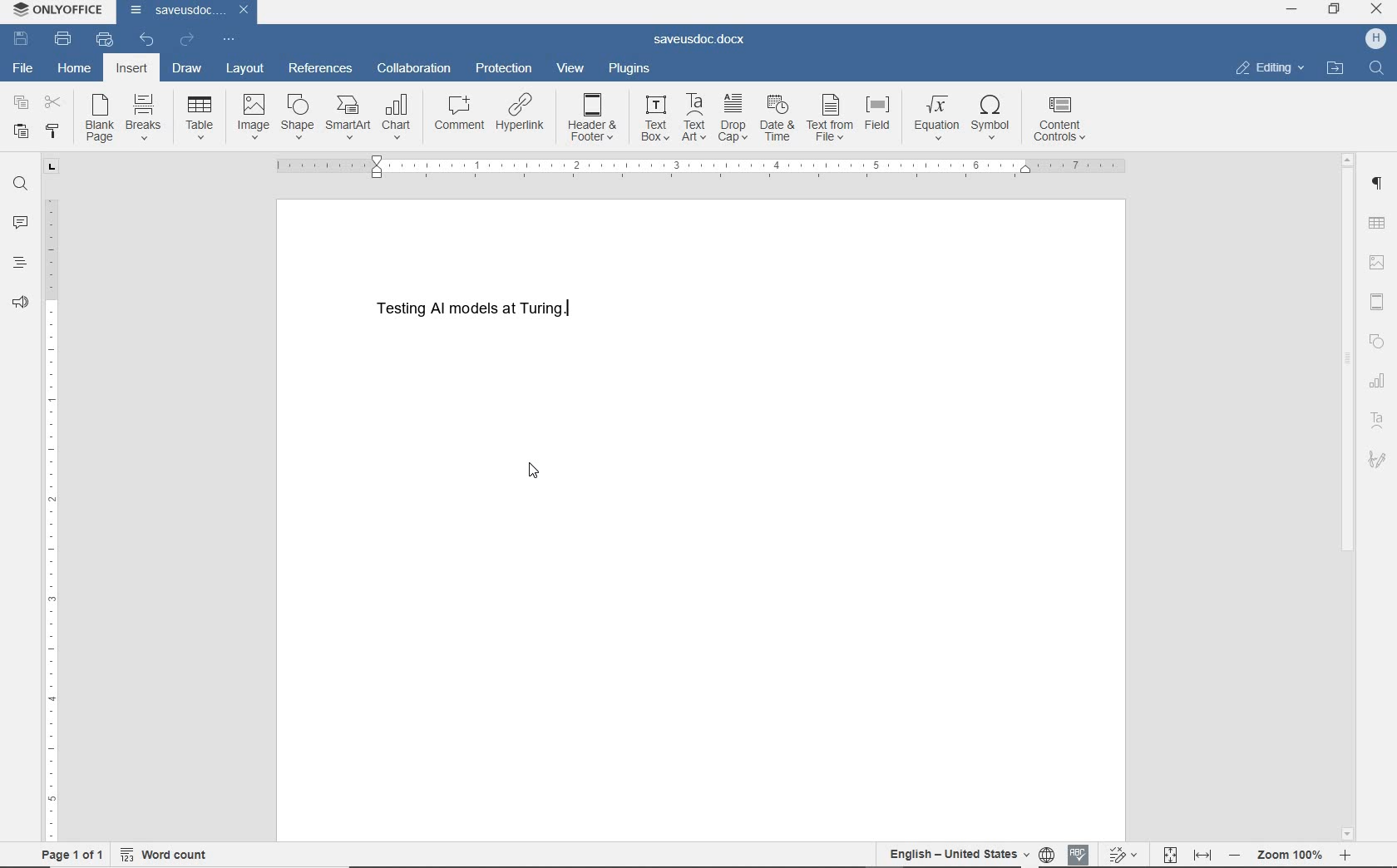 Image resolution: width=1397 pixels, height=868 pixels. What do you see at coordinates (19, 264) in the screenshot?
I see `headings` at bounding box center [19, 264].